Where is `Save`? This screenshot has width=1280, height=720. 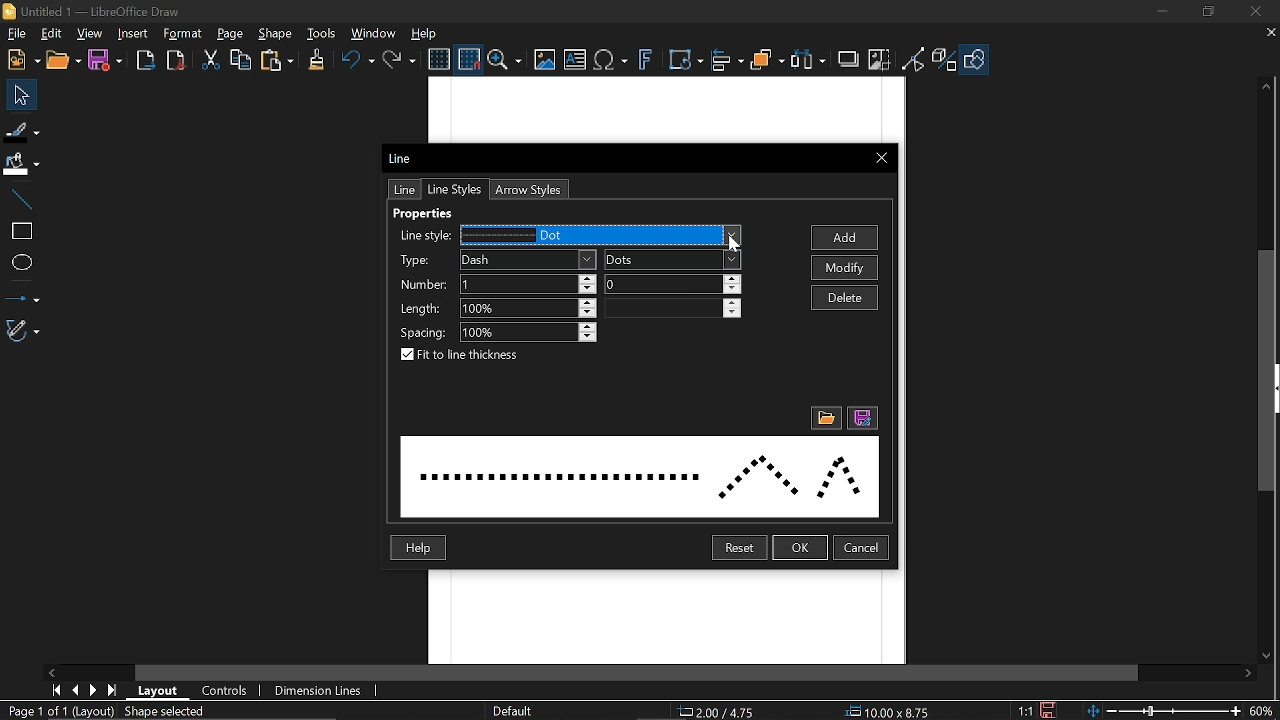 Save is located at coordinates (861, 419).